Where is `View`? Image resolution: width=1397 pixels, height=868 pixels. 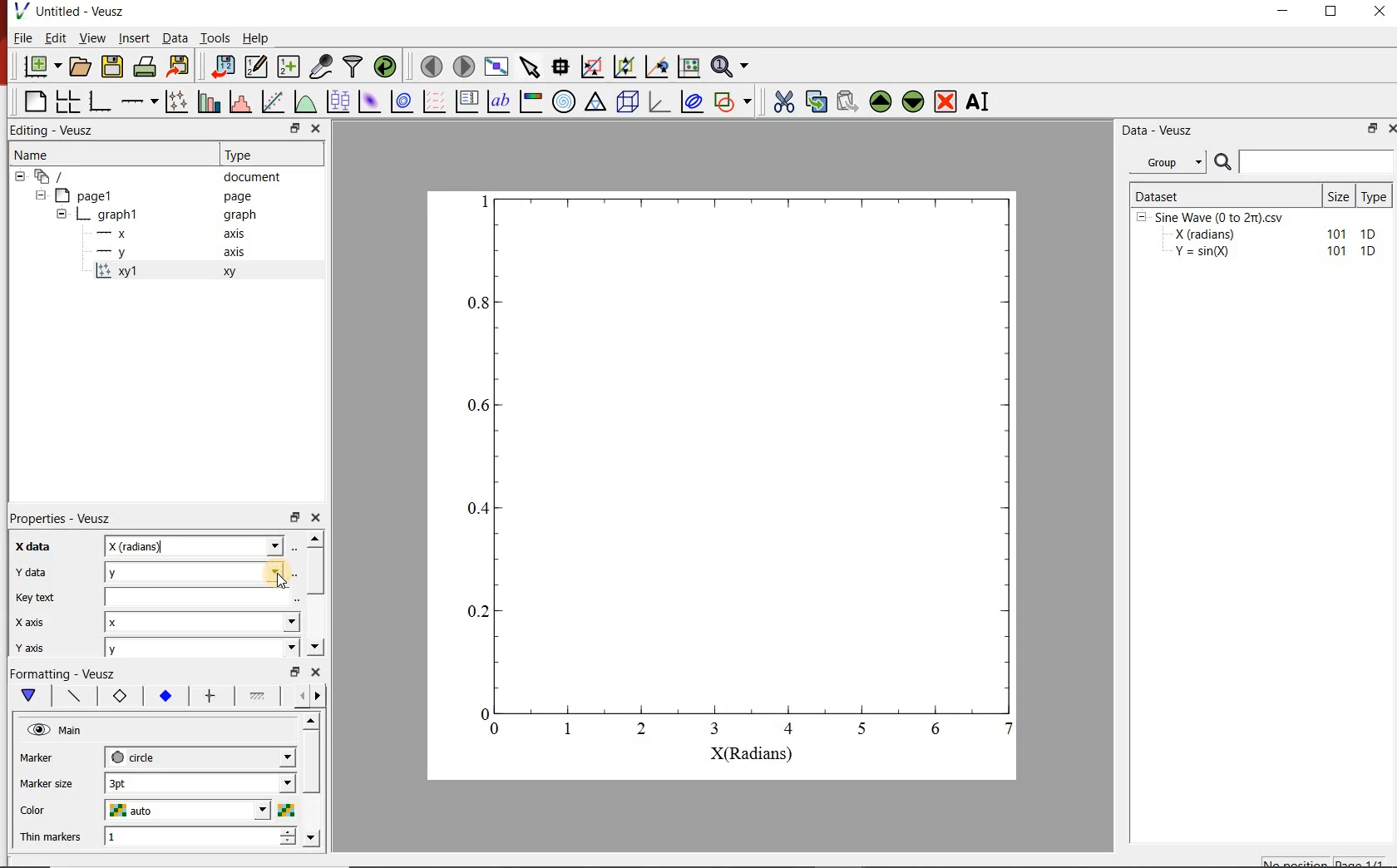
View is located at coordinates (93, 37).